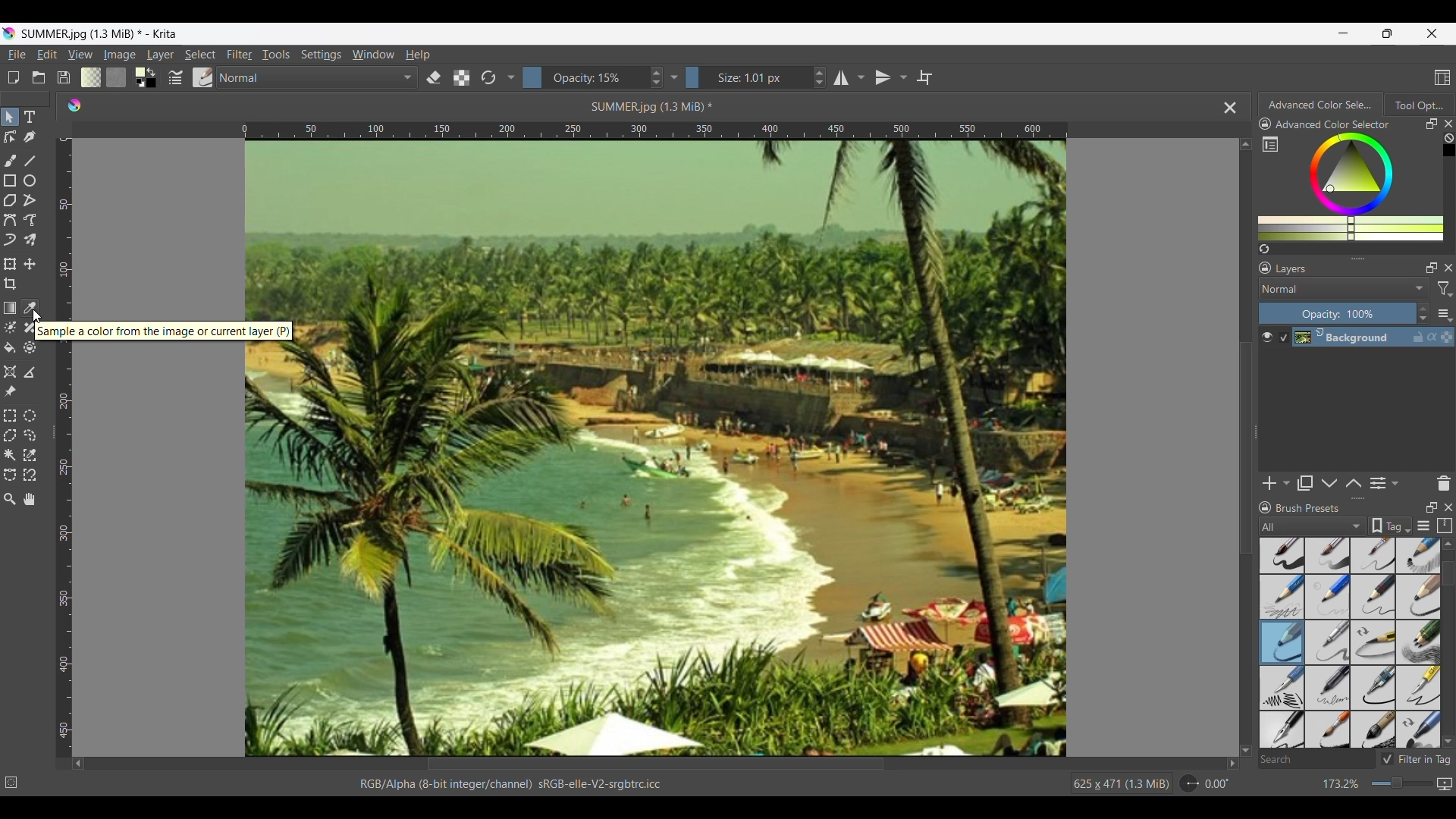  I want to click on 625 x 471 (13 MiB), so click(1119, 785).